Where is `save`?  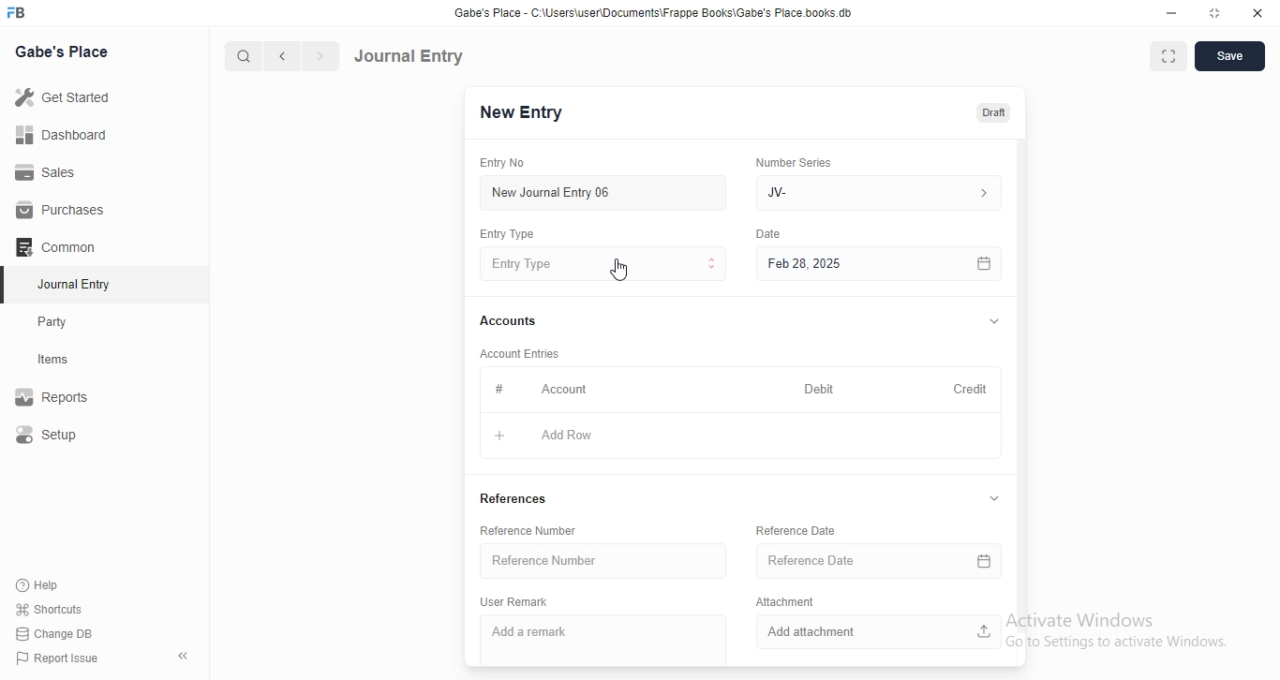 save is located at coordinates (1232, 56).